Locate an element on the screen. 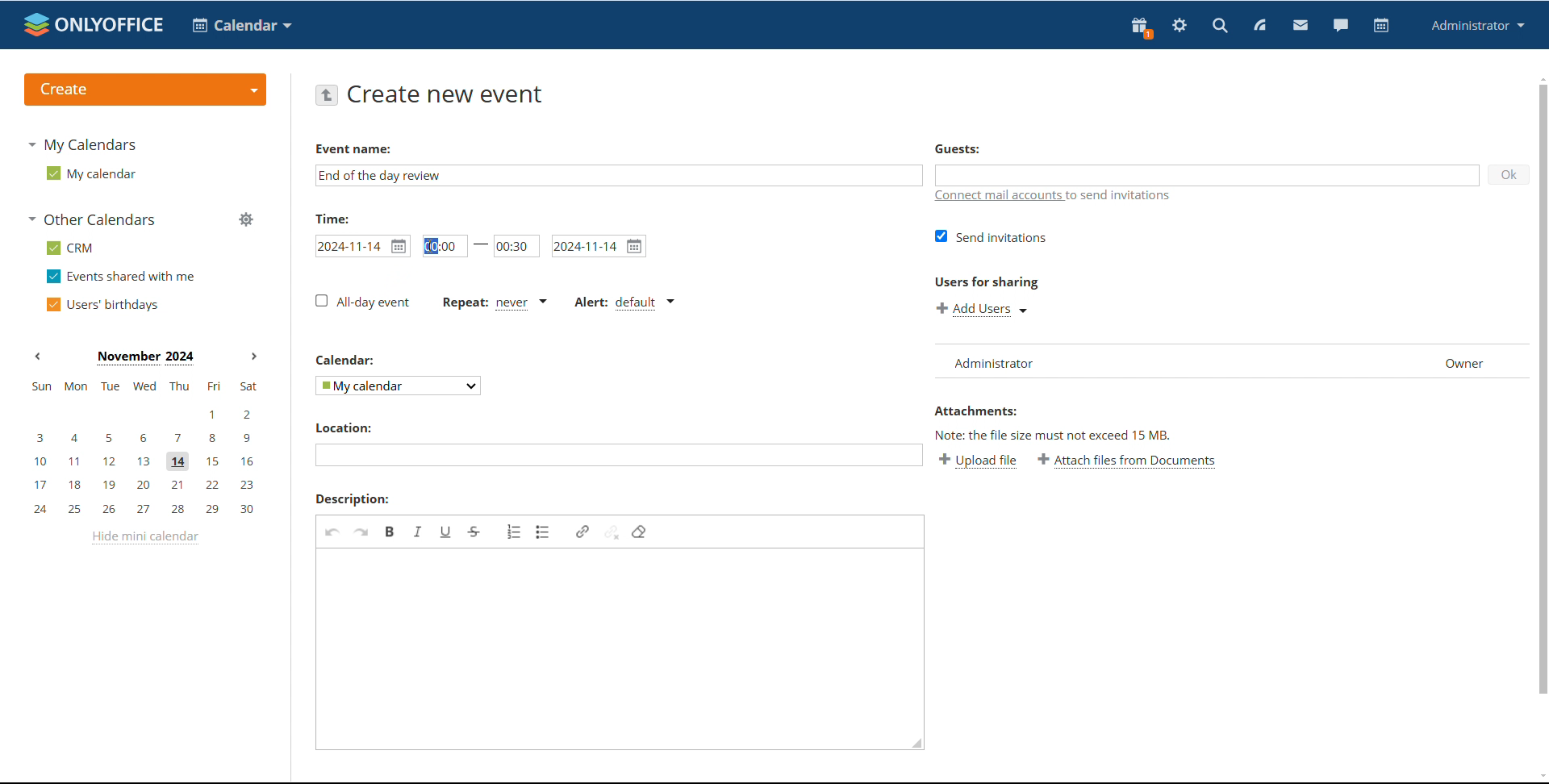 The image size is (1549, 784). event name added is located at coordinates (381, 175).